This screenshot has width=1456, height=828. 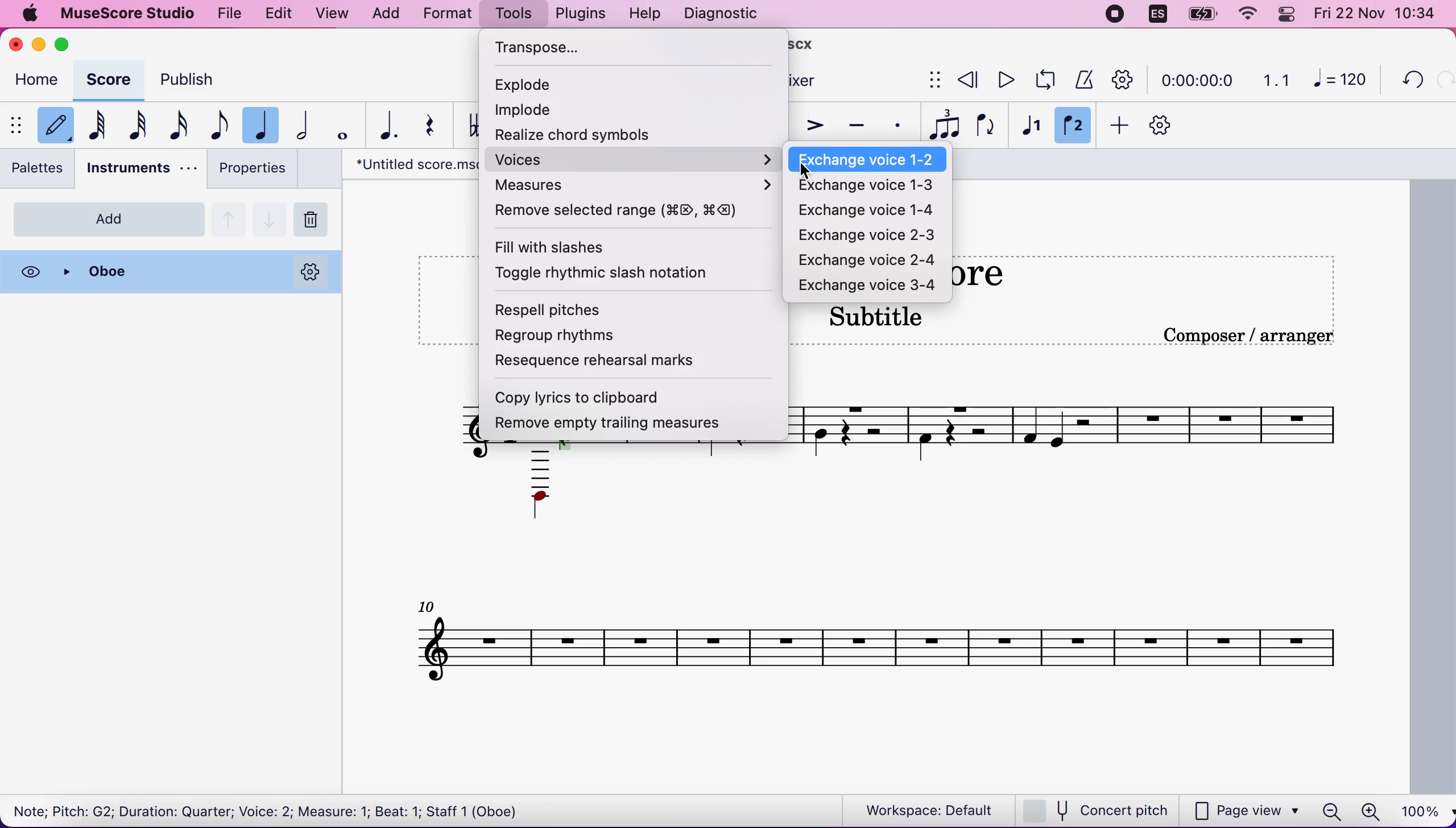 I want to click on remove empty trailing measures, so click(x=631, y=425).